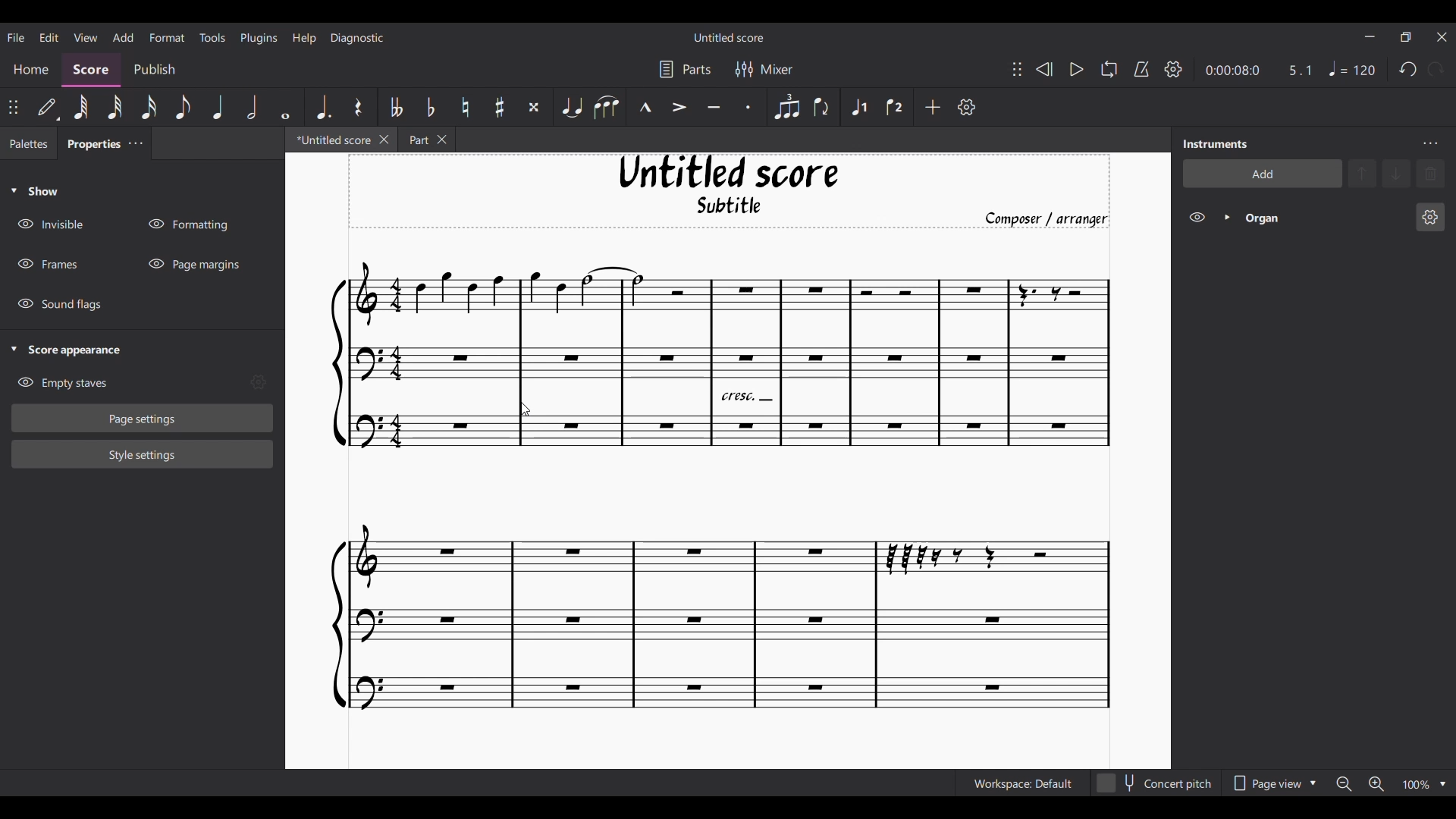 The image size is (1456, 819). I want to click on Subtitle, so click(731, 209).